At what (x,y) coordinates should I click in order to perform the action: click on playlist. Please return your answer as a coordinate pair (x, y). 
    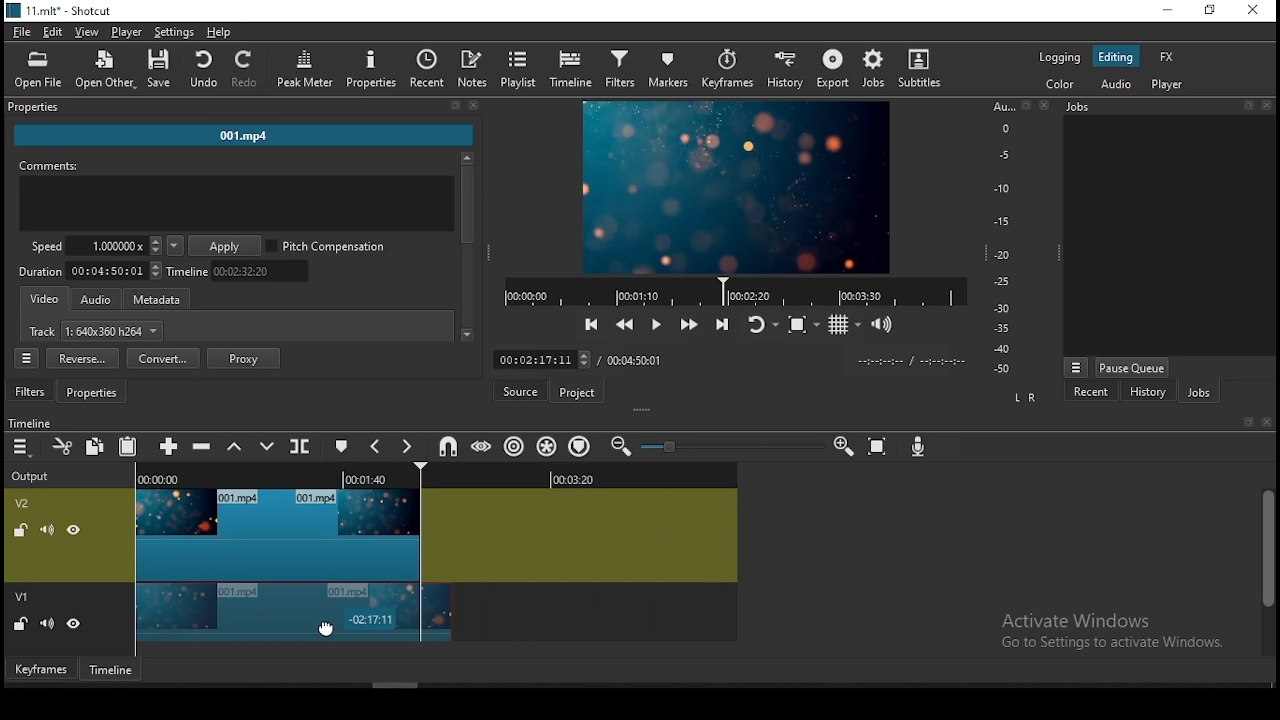
    Looking at the image, I should click on (519, 69).